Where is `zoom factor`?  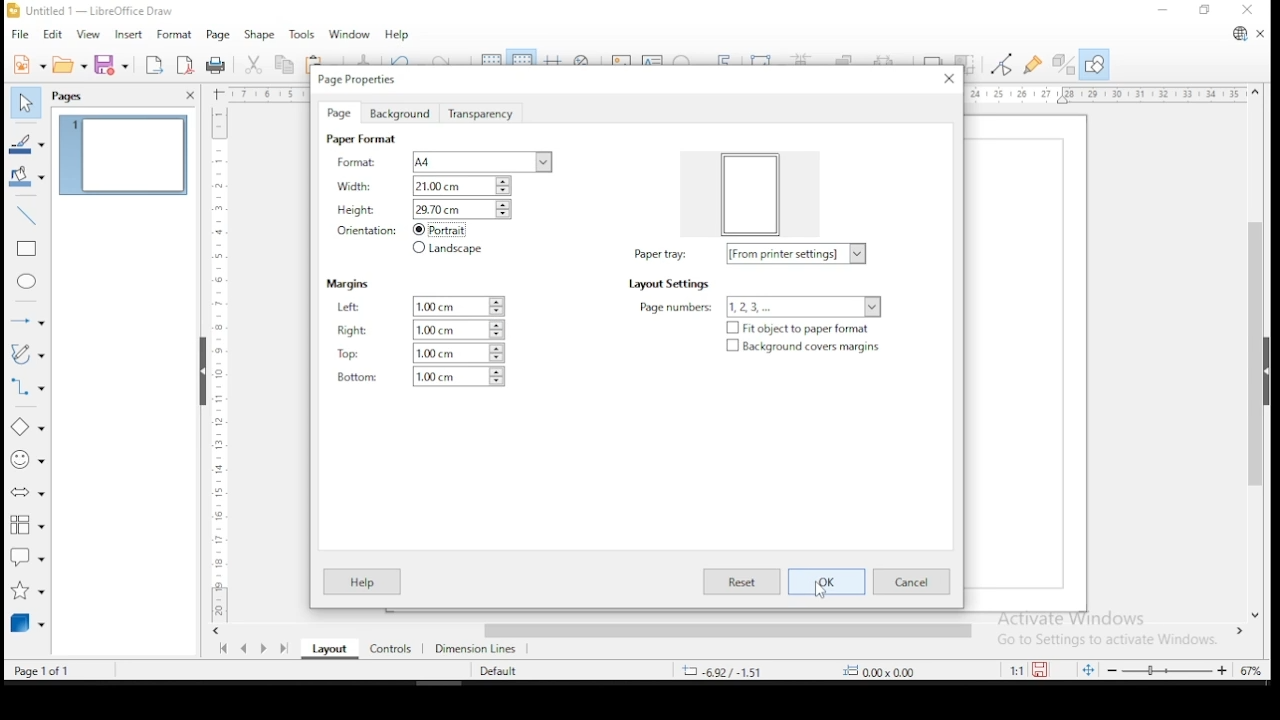 zoom factor is located at coordinates (1252, 669).